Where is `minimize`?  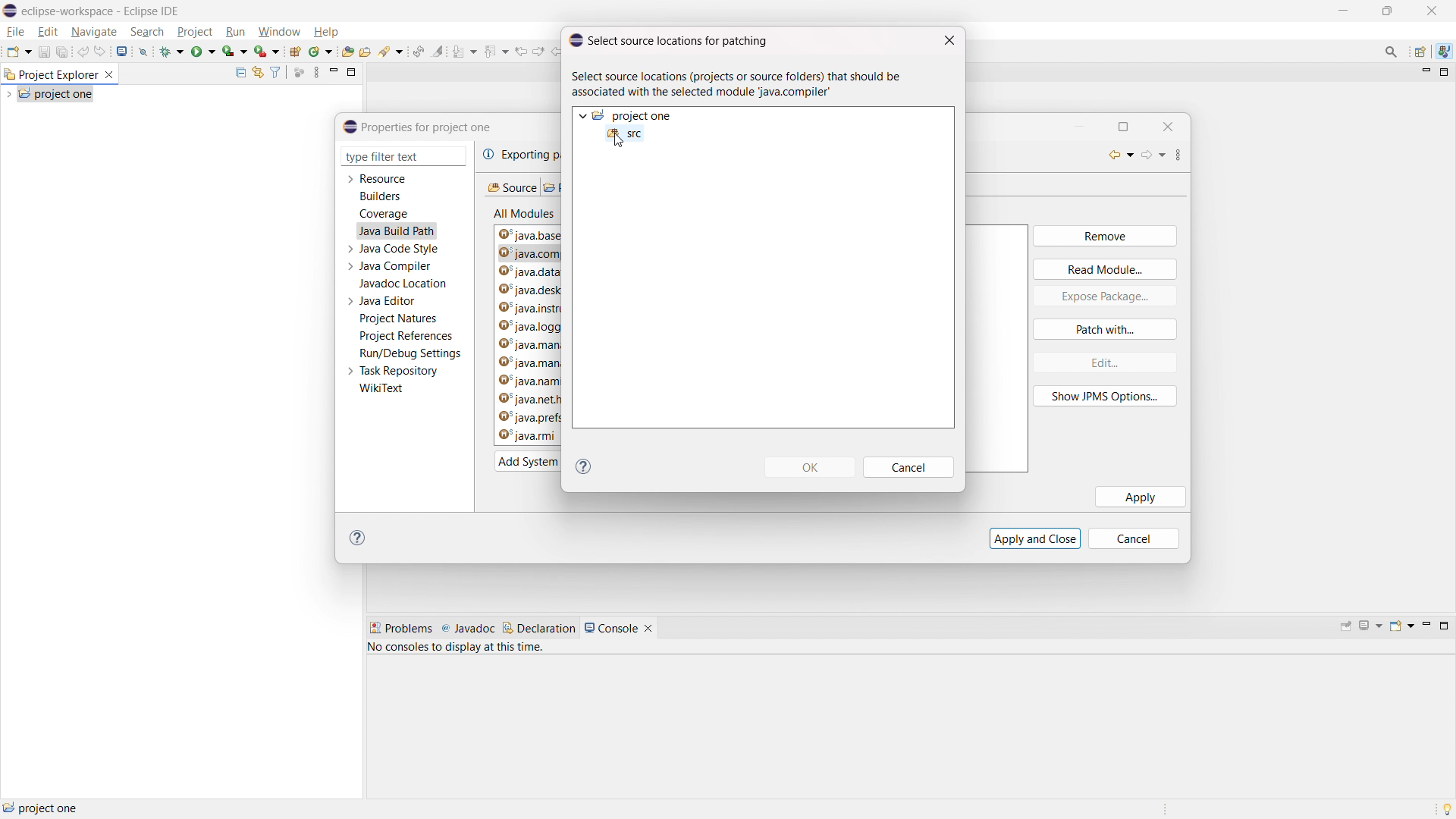 minimize is located at coordinates (1424, 73).